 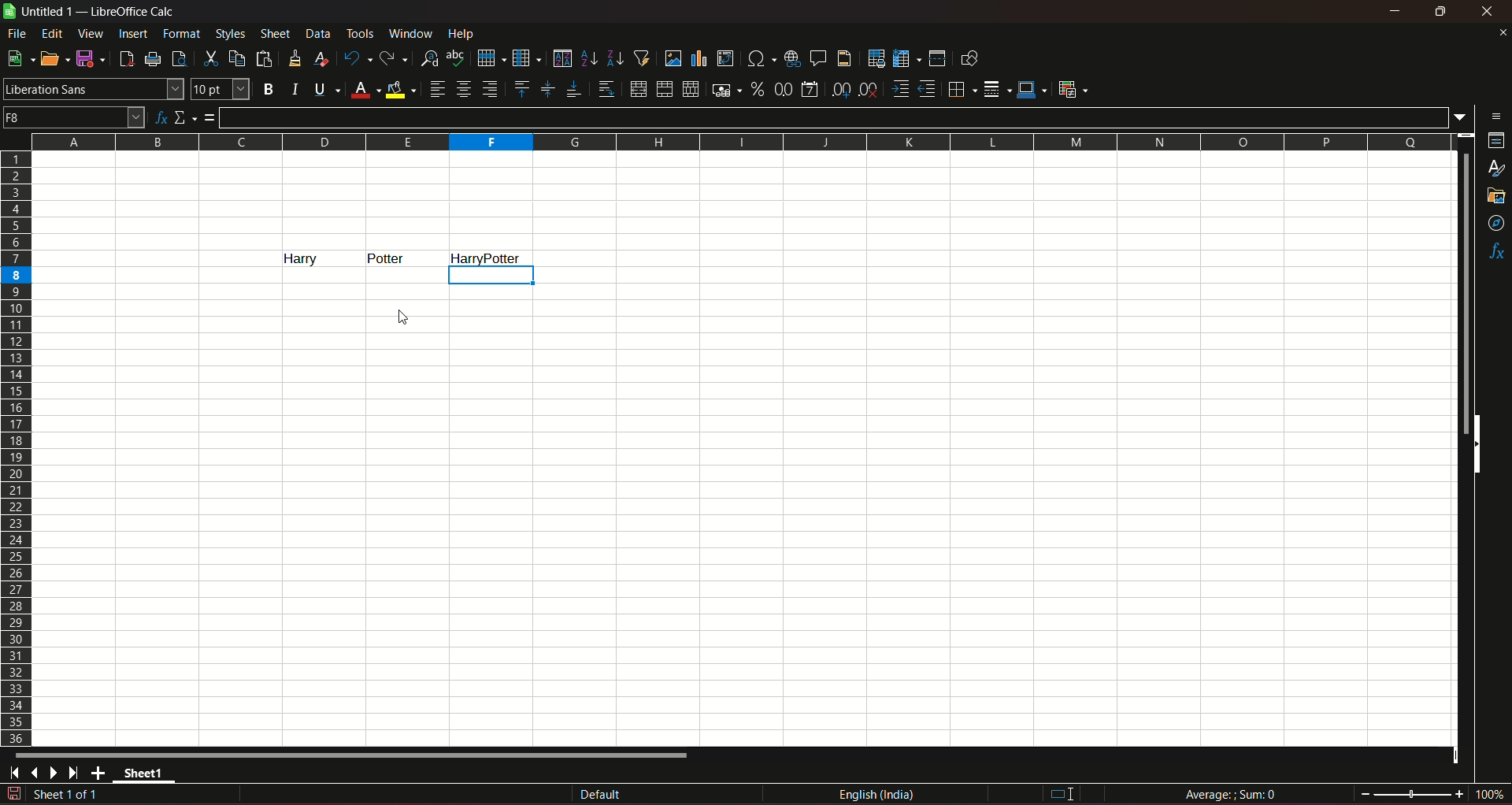 What do you see at coordinates (394, 57) in the screenshot?
I see `redo` at bounding box center [394, 57].